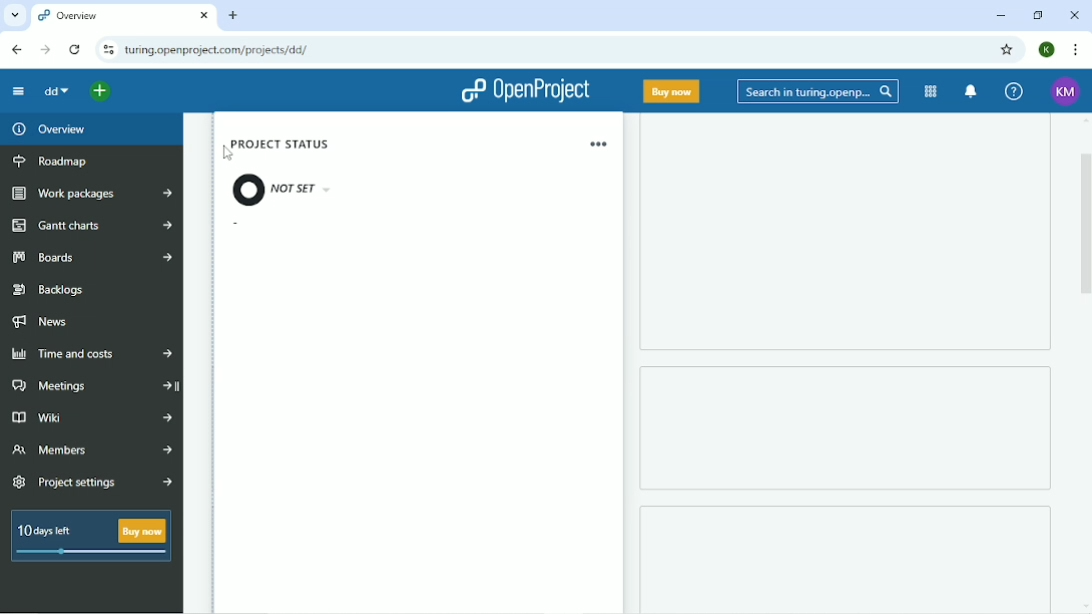  What do you see at coordinates (970, 91) in the screenshot?
I see `To notification center` at bounding box center [970, 91].